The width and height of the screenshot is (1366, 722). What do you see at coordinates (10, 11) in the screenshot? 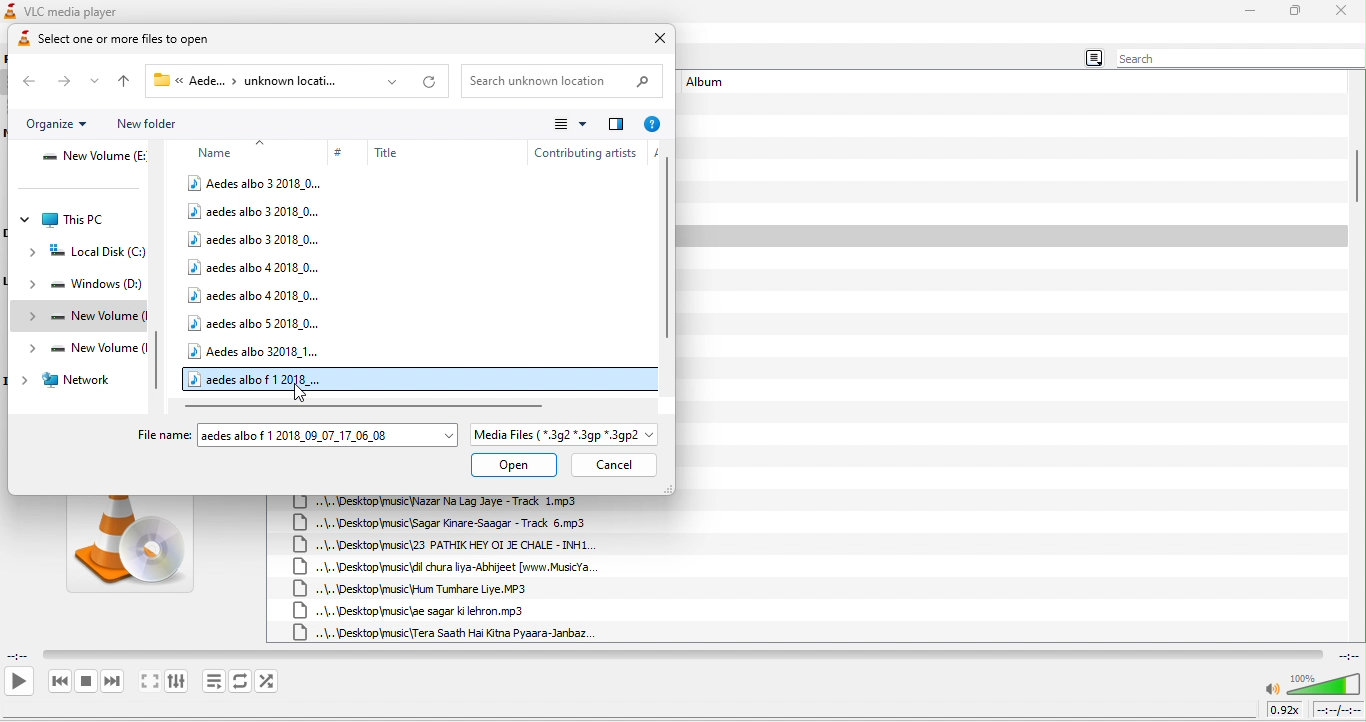
I see `icon` at bounding box center [10, 11].